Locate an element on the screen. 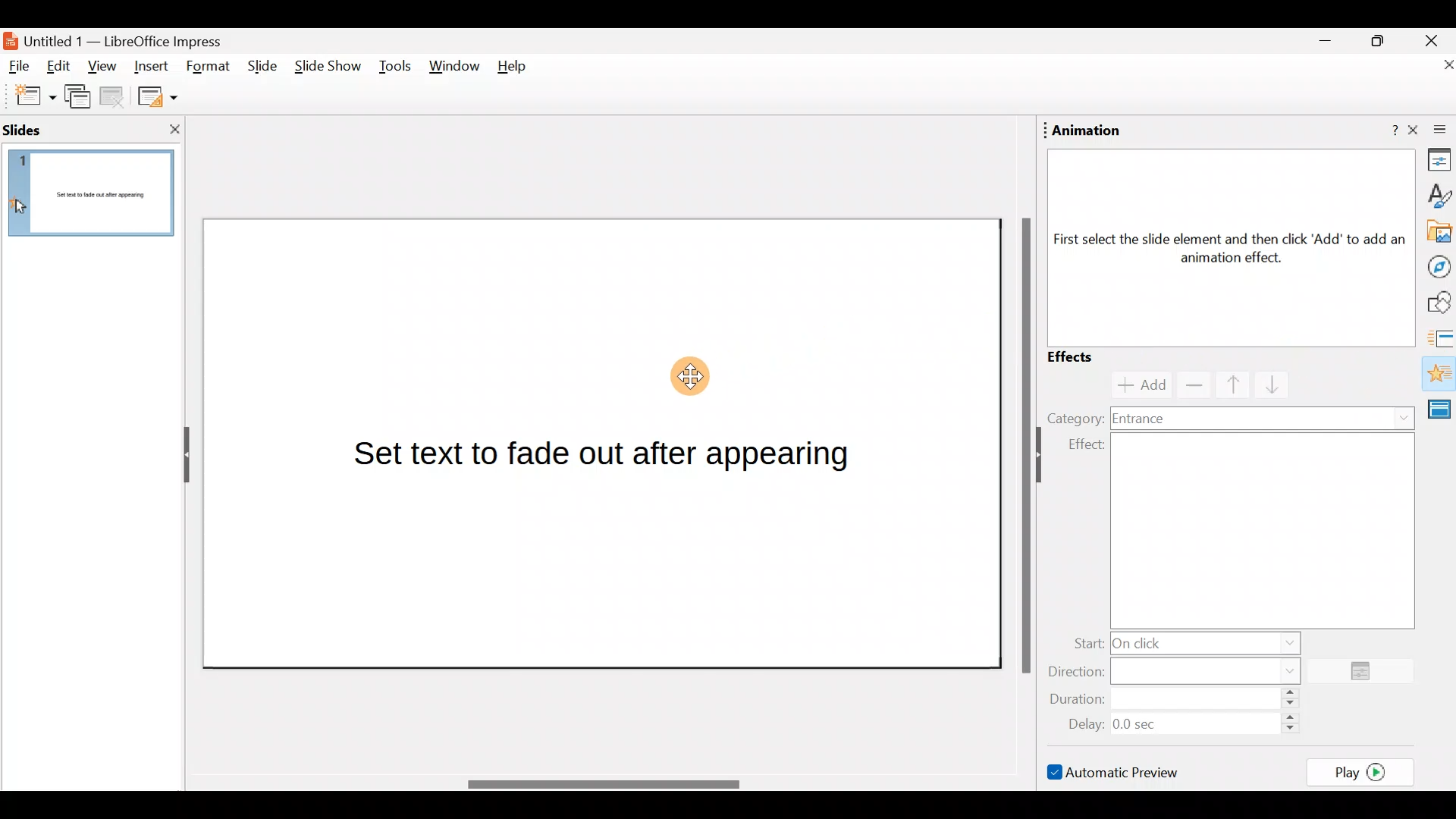  Animation is located at coordinates (1087, 130).